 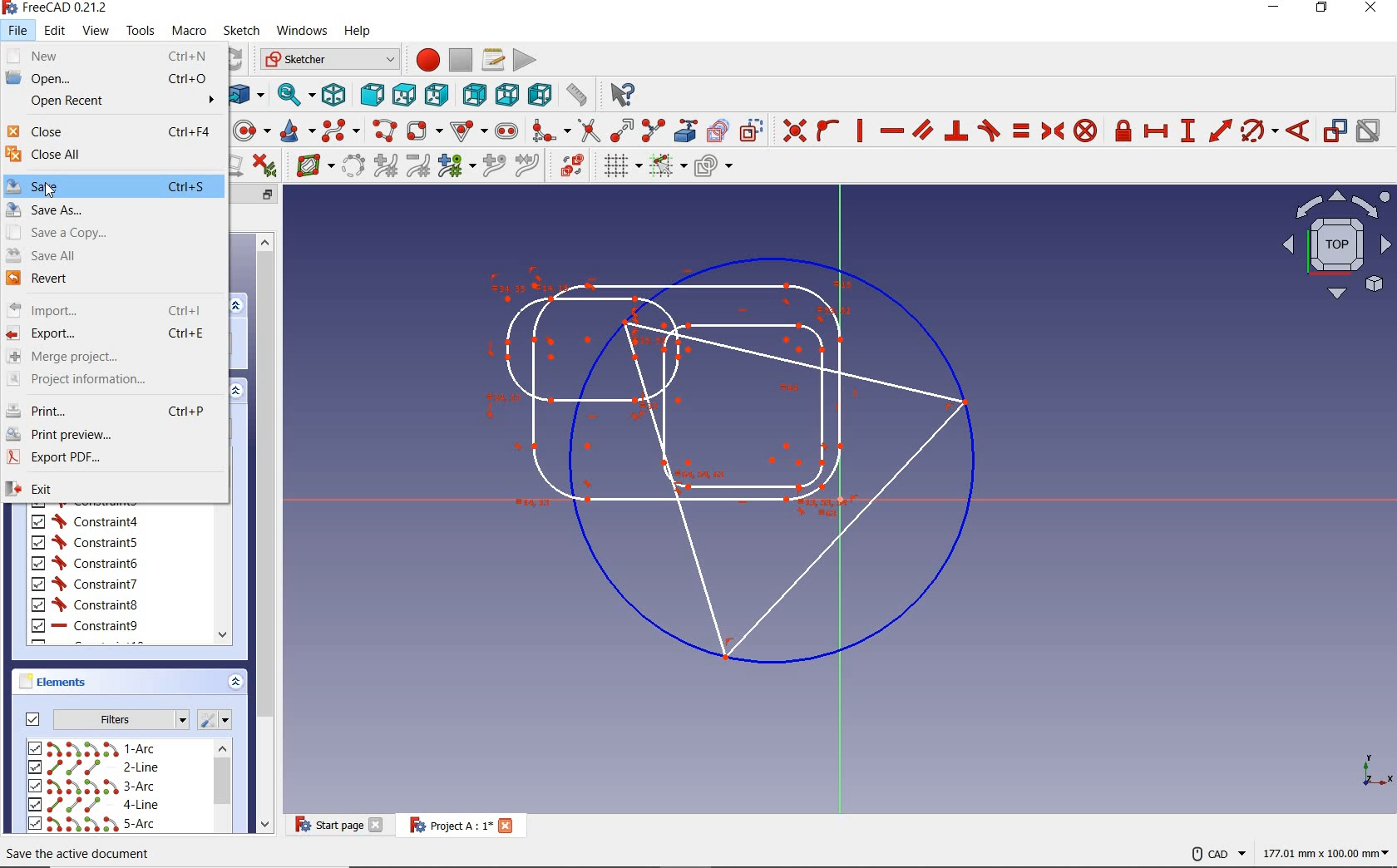 I want to click on constrain equal, so click(x=1023, y=131).